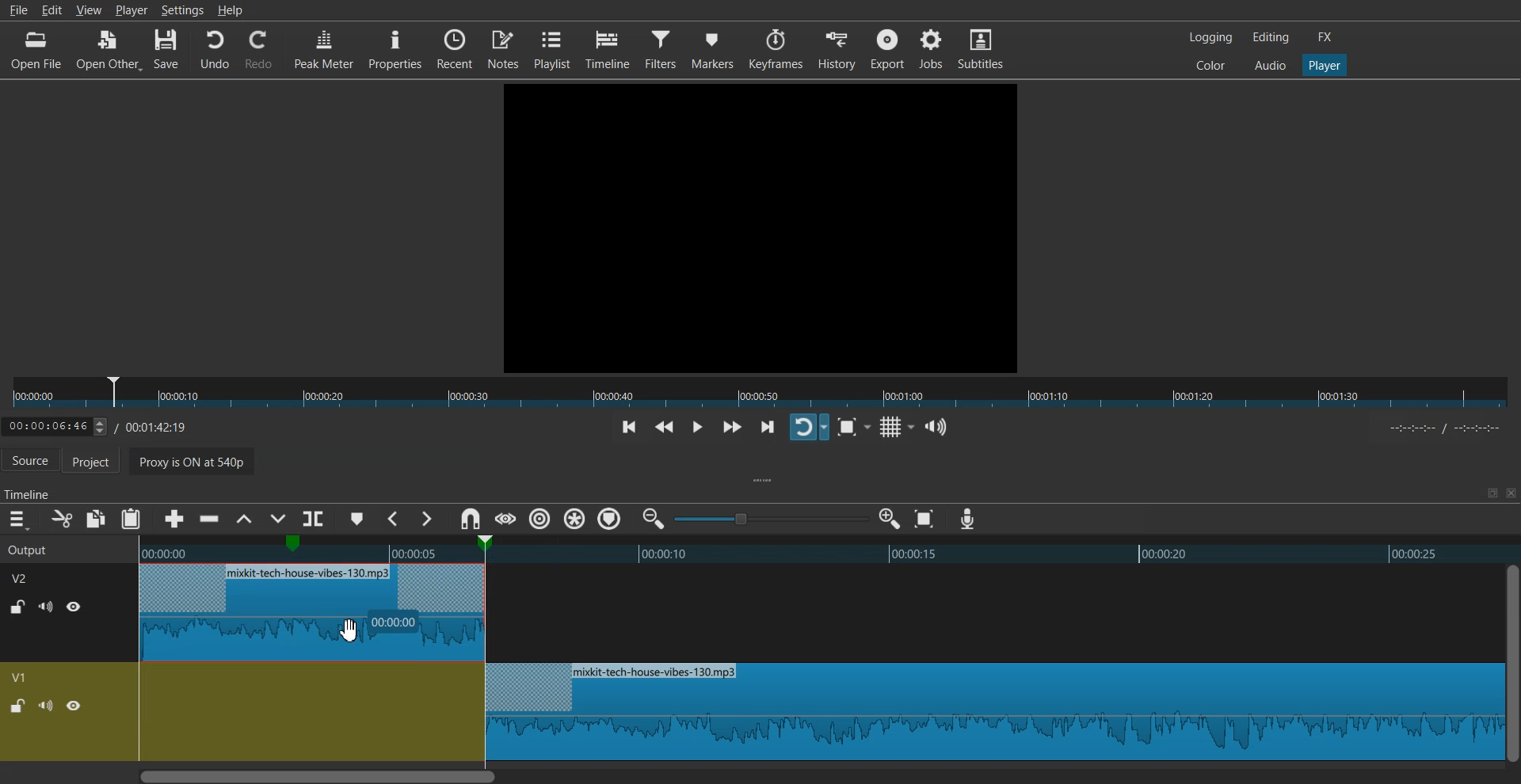 The image size is (1521, 784). What do you see at coordinates (817, 550) in the screenshot?
I see `Timeline preview` at bounding box center [817, 550].